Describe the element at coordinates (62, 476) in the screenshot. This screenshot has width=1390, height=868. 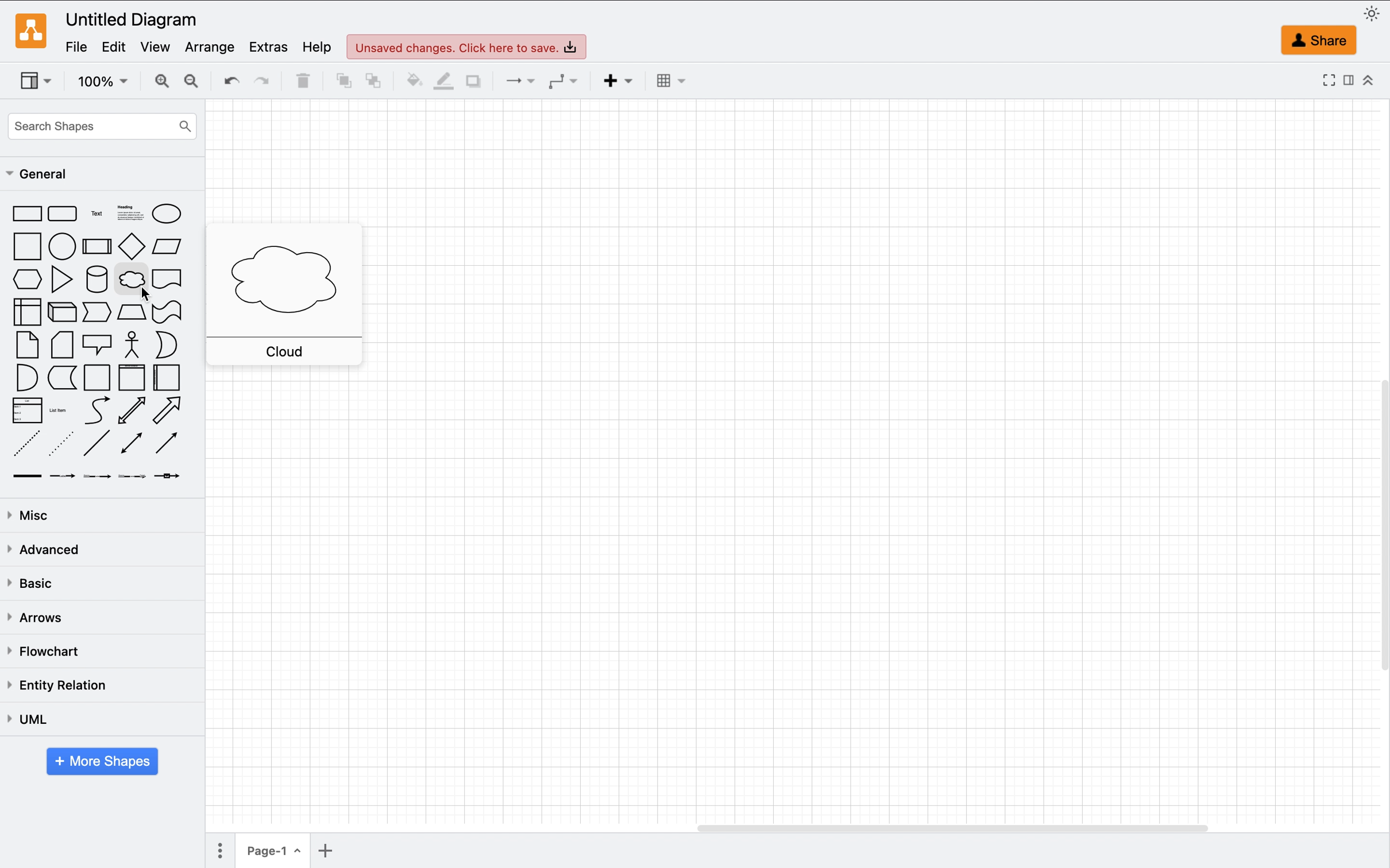
I see `connector with one lable` at that location.